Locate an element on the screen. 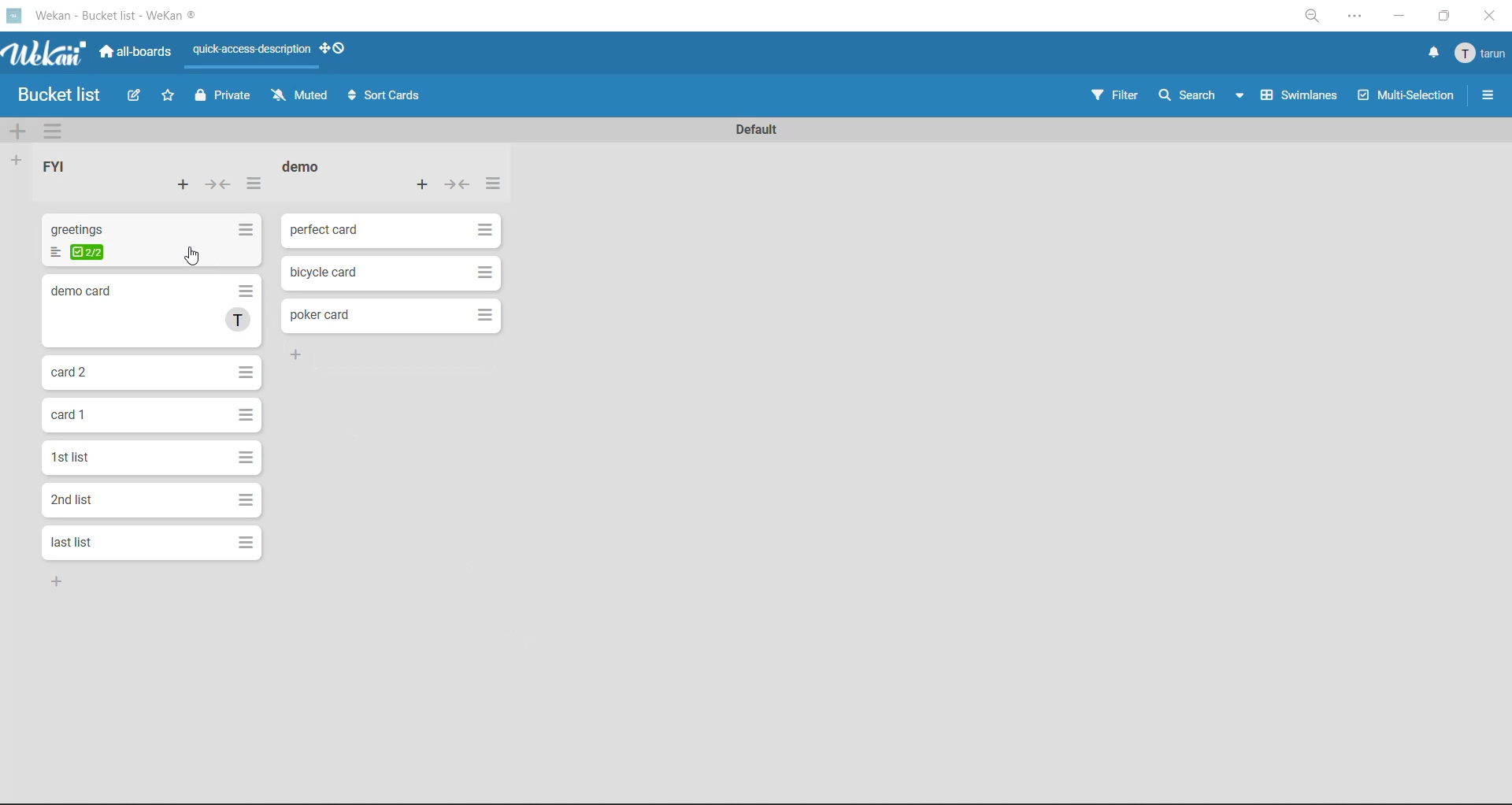 This screenshot has width=1512, height=805. filter is located at coordinates (1115, 95).